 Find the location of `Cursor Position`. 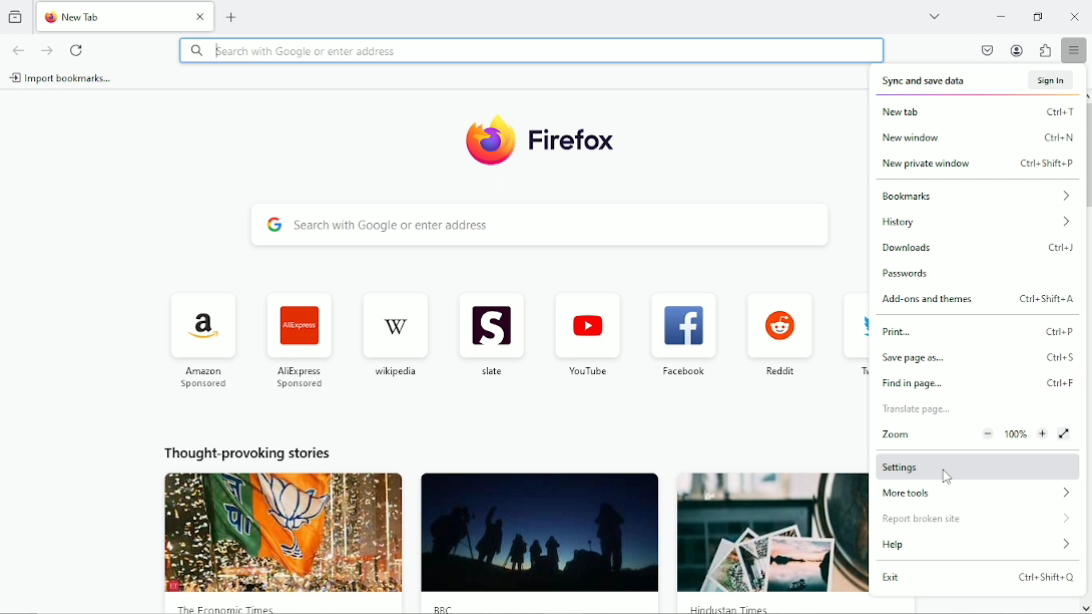

Cursor Position is located at coordinates (946, 475).